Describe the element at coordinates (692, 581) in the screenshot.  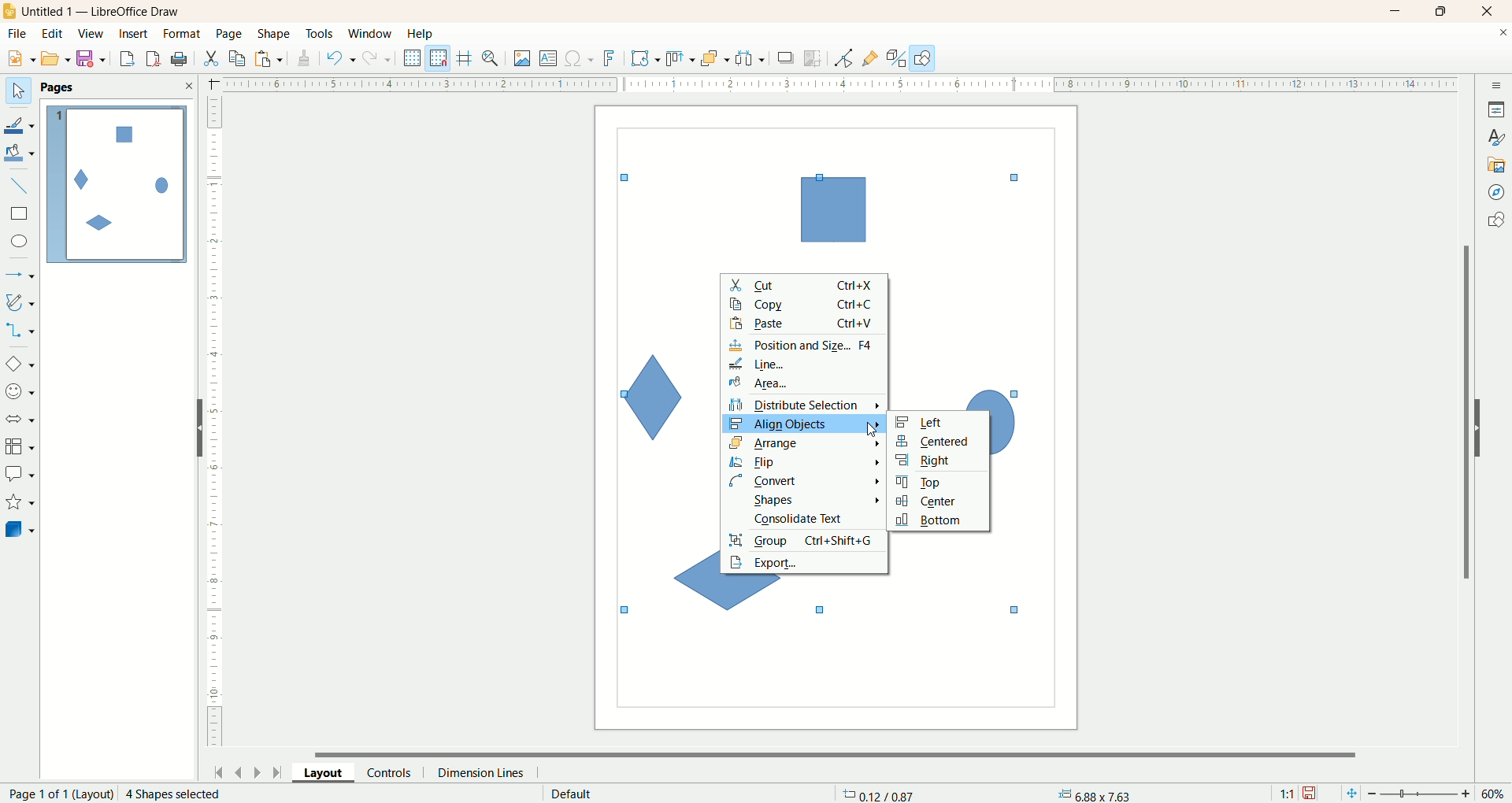
I see `unselected shape` at that location.